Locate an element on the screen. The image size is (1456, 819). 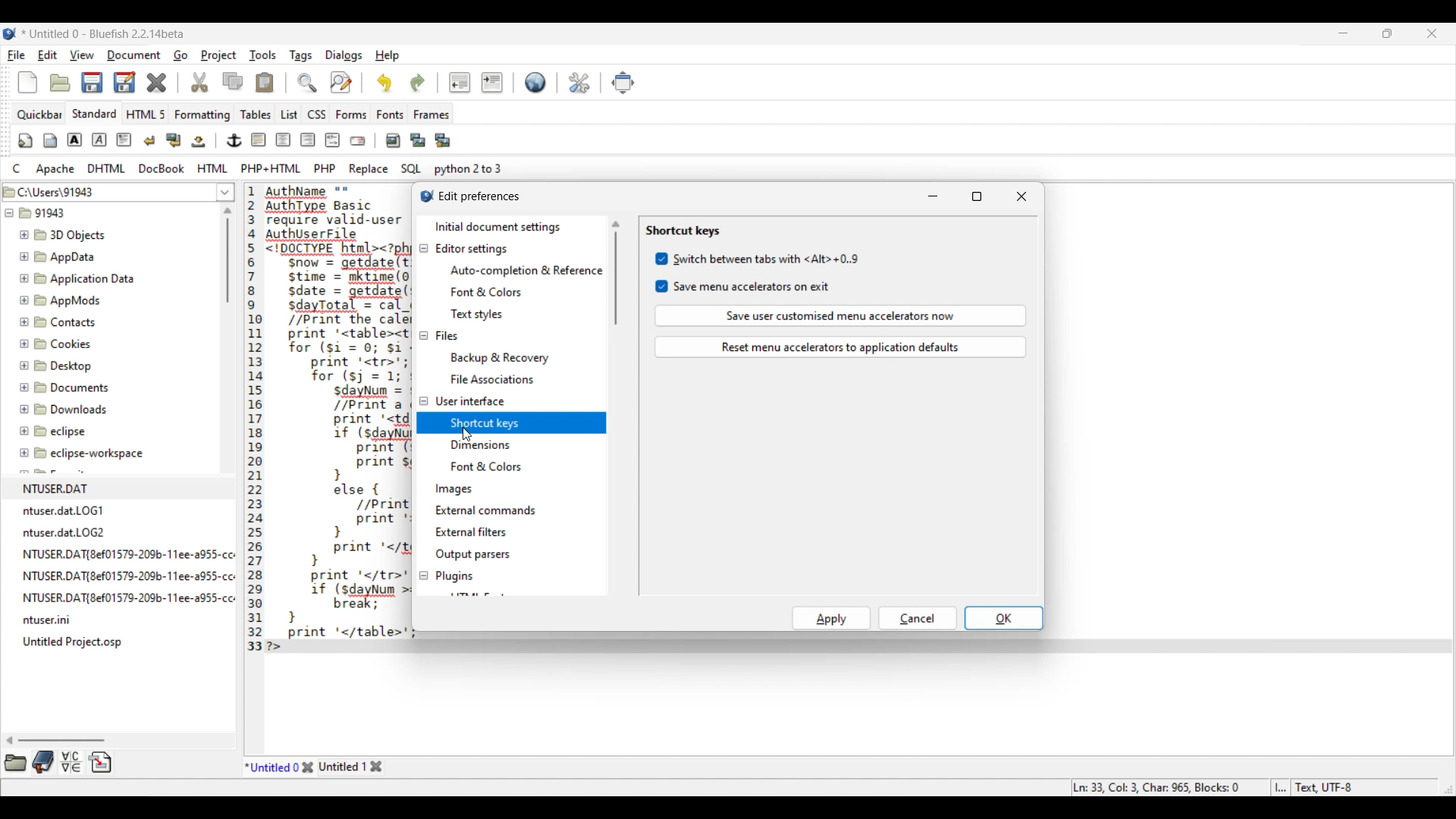
Software logo is located at coordinates (10, 34).